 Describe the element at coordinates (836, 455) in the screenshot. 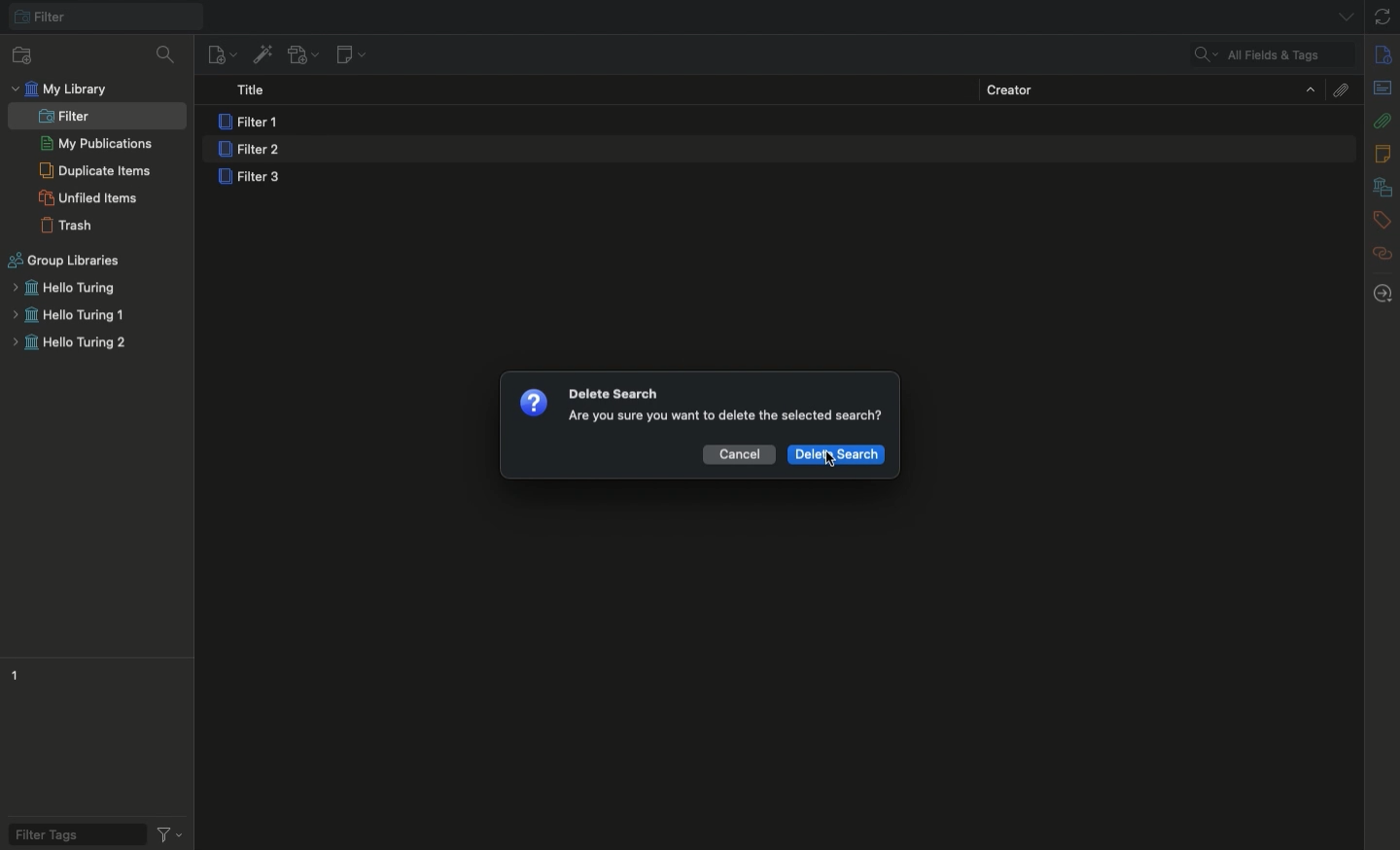

I see `Delete search` at that location.